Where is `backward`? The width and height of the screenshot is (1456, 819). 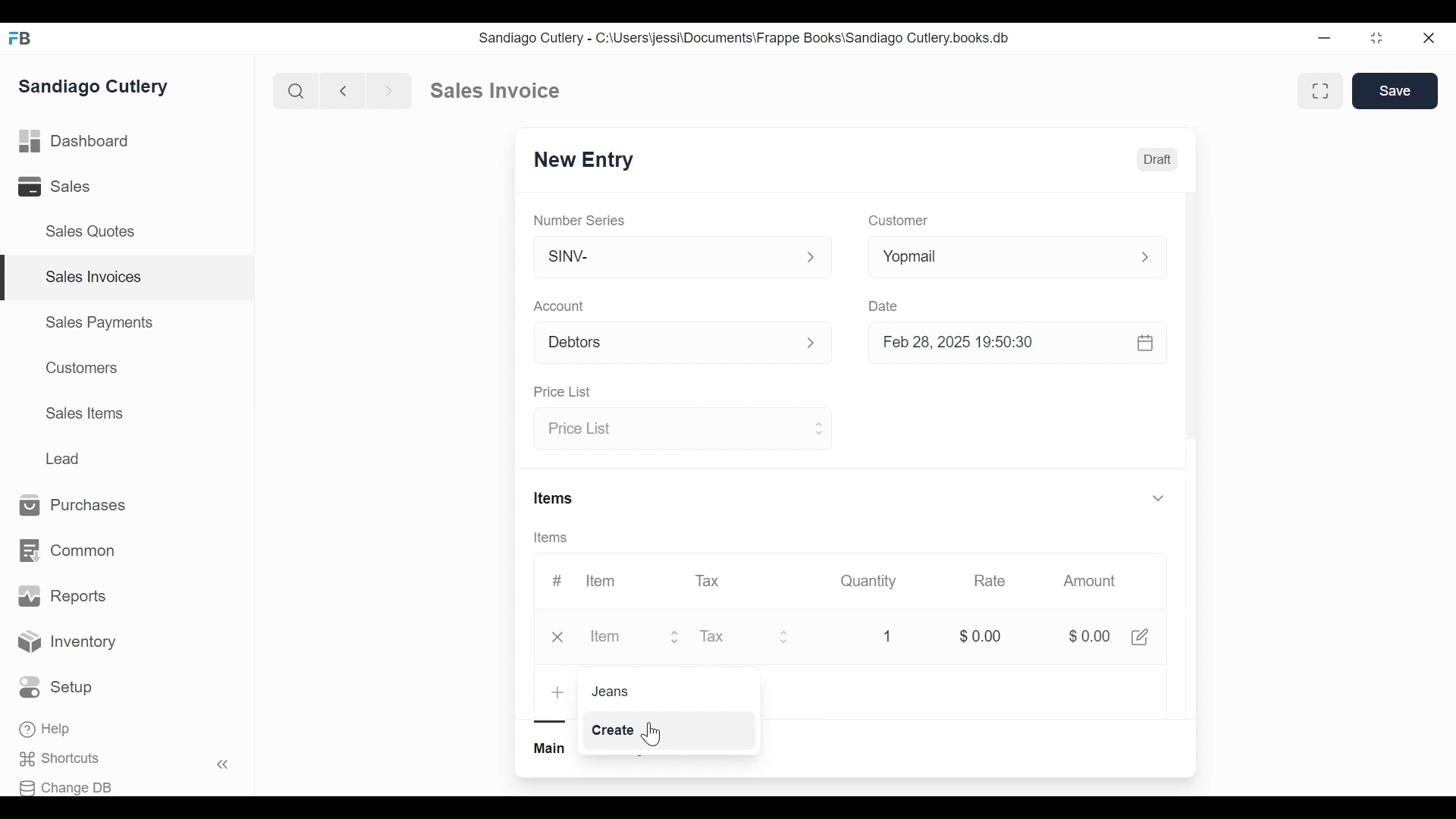
backward is located at coordinates (344, 90).